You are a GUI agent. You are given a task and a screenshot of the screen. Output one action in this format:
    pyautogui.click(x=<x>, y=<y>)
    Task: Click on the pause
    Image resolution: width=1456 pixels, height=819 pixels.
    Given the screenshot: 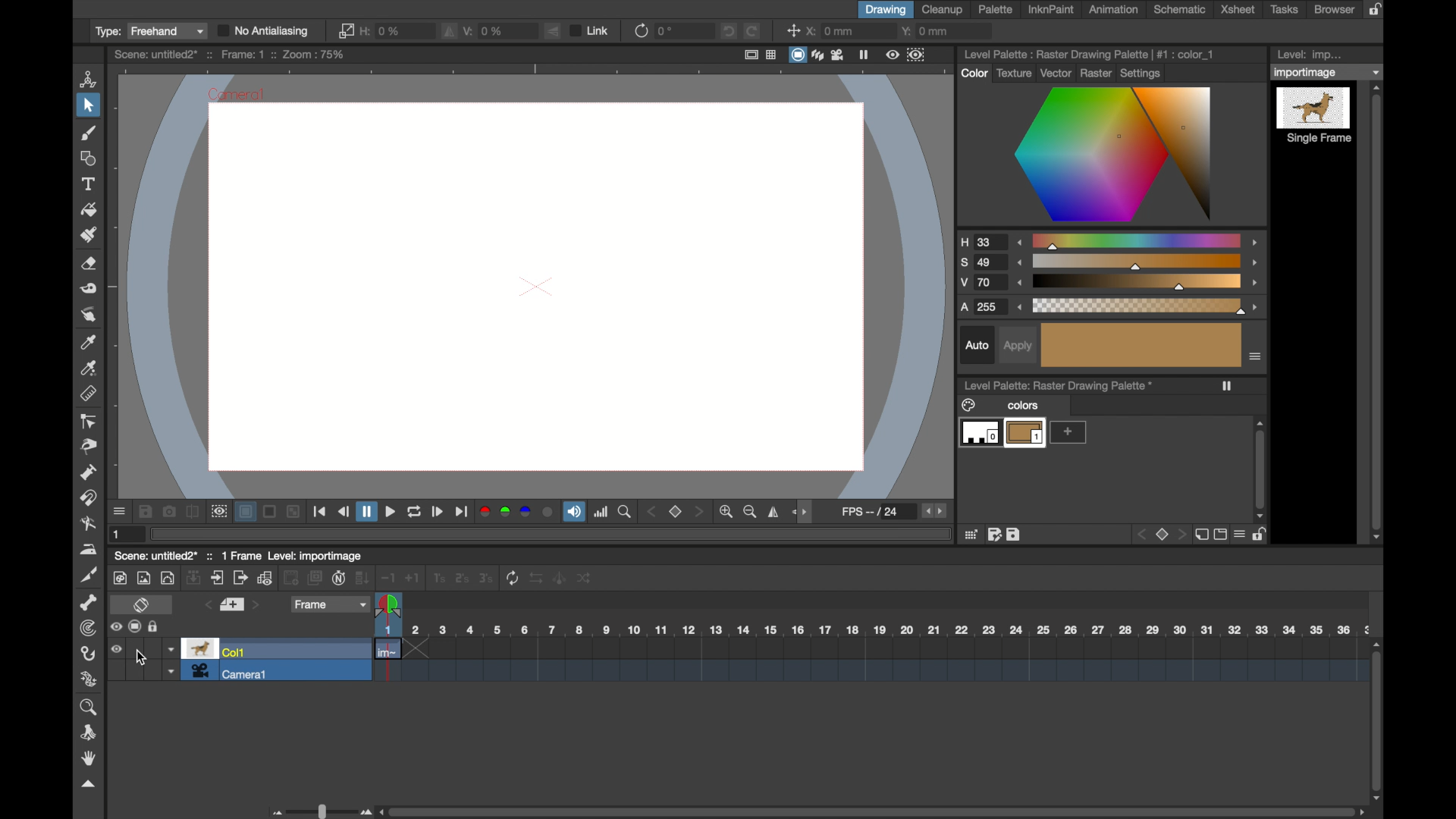 What is the action you would take?
    pyautogui.click(x=864, y=55)
    